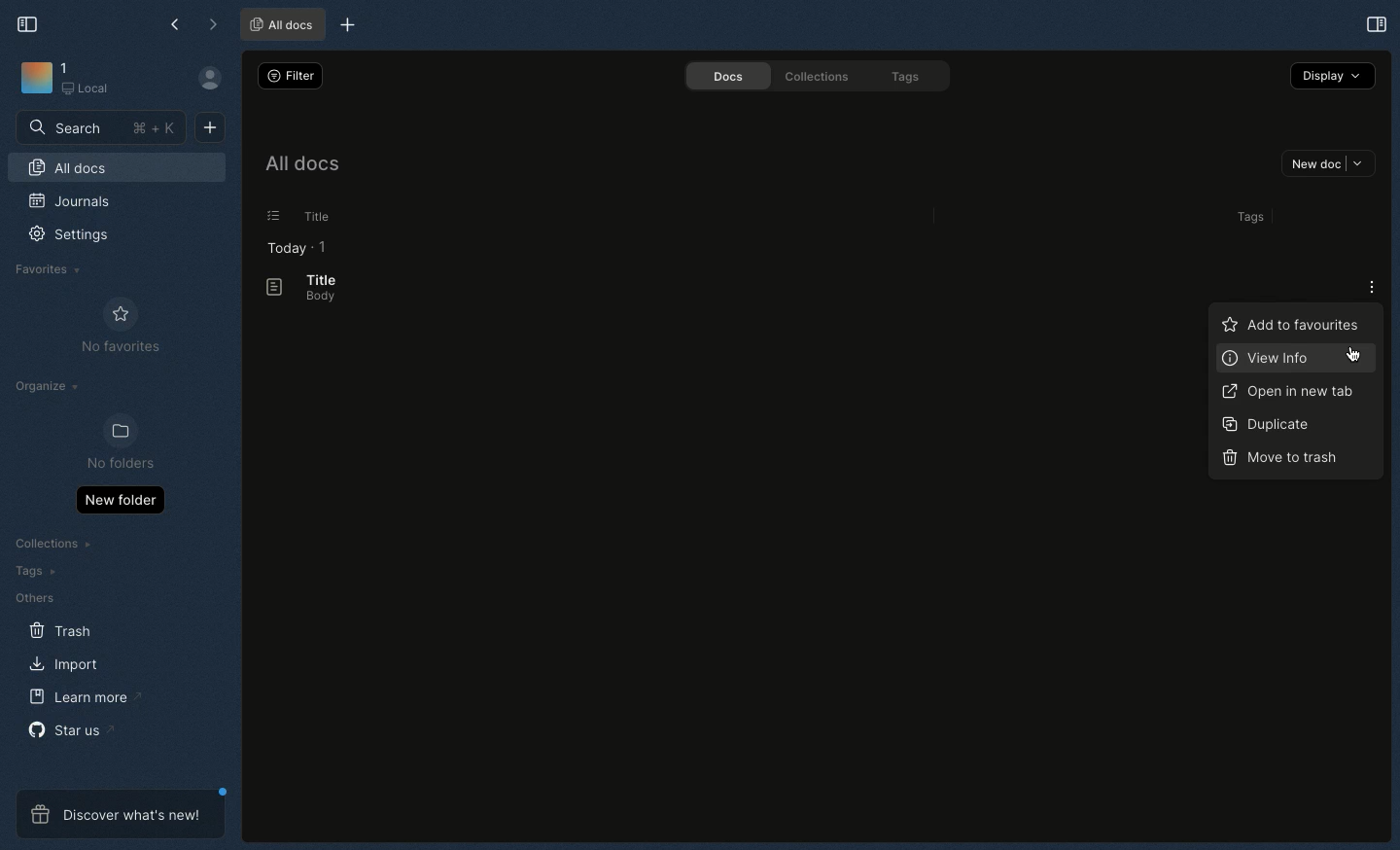 This screenshot has height=850, width=1400. Describe the element at coordinates (218, 79) in the screenshot. I see `User` at that location.